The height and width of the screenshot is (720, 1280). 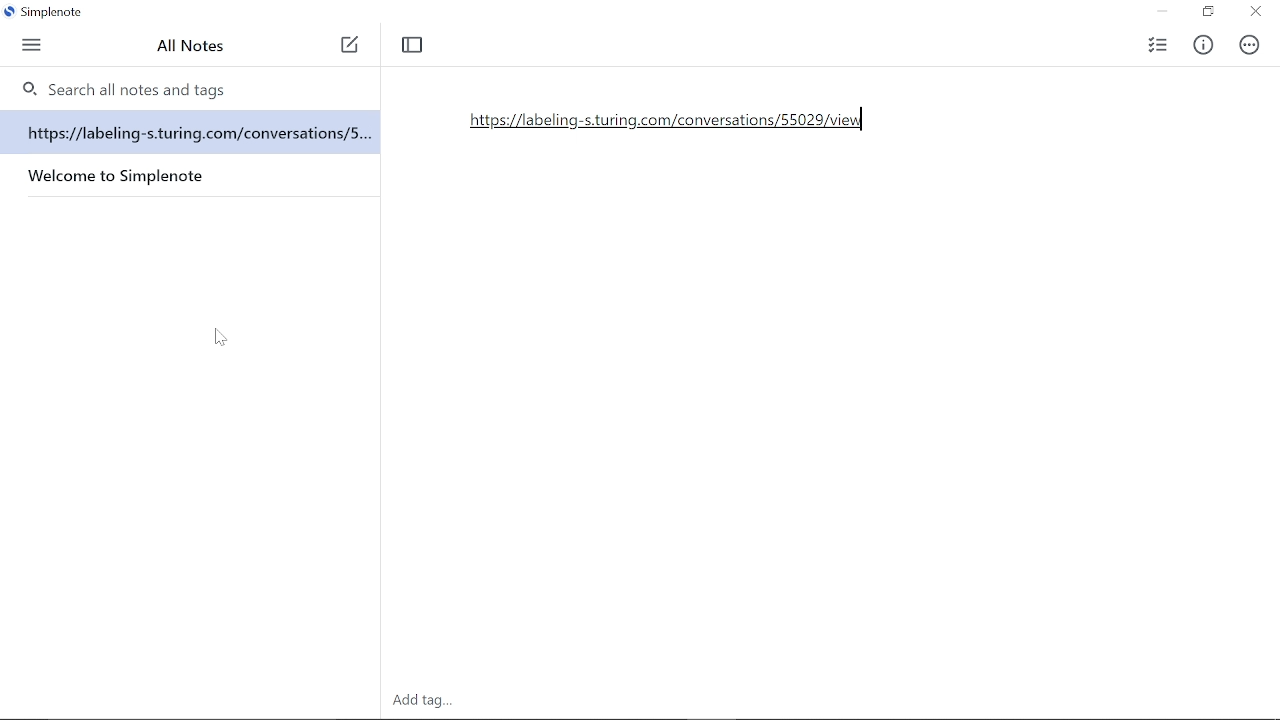 What do you see at coordinates (1254, 12) in the screenshot?
I see `Close` at bounding box center [1254, 12].